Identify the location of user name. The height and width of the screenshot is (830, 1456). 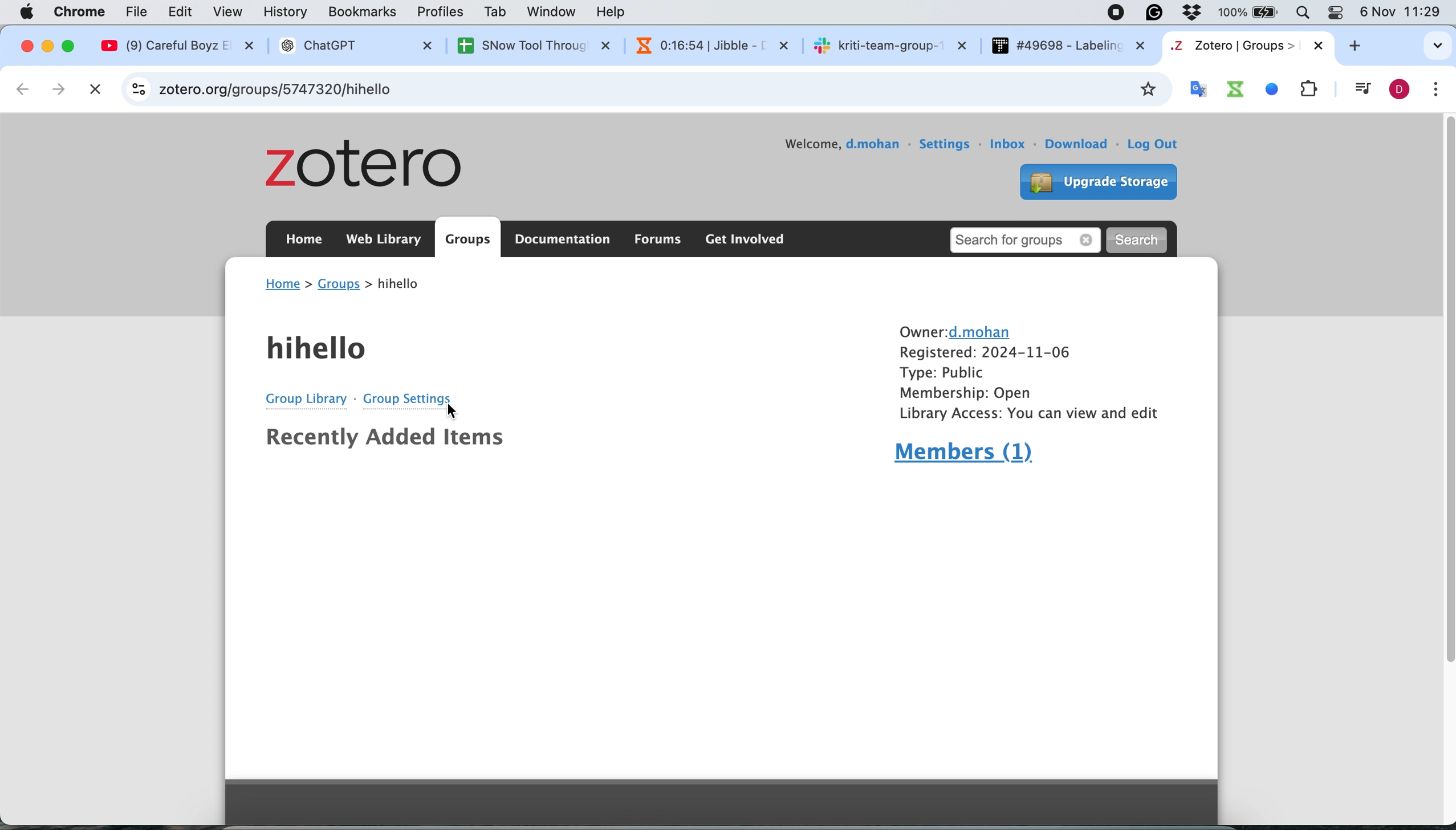
(873, 147).